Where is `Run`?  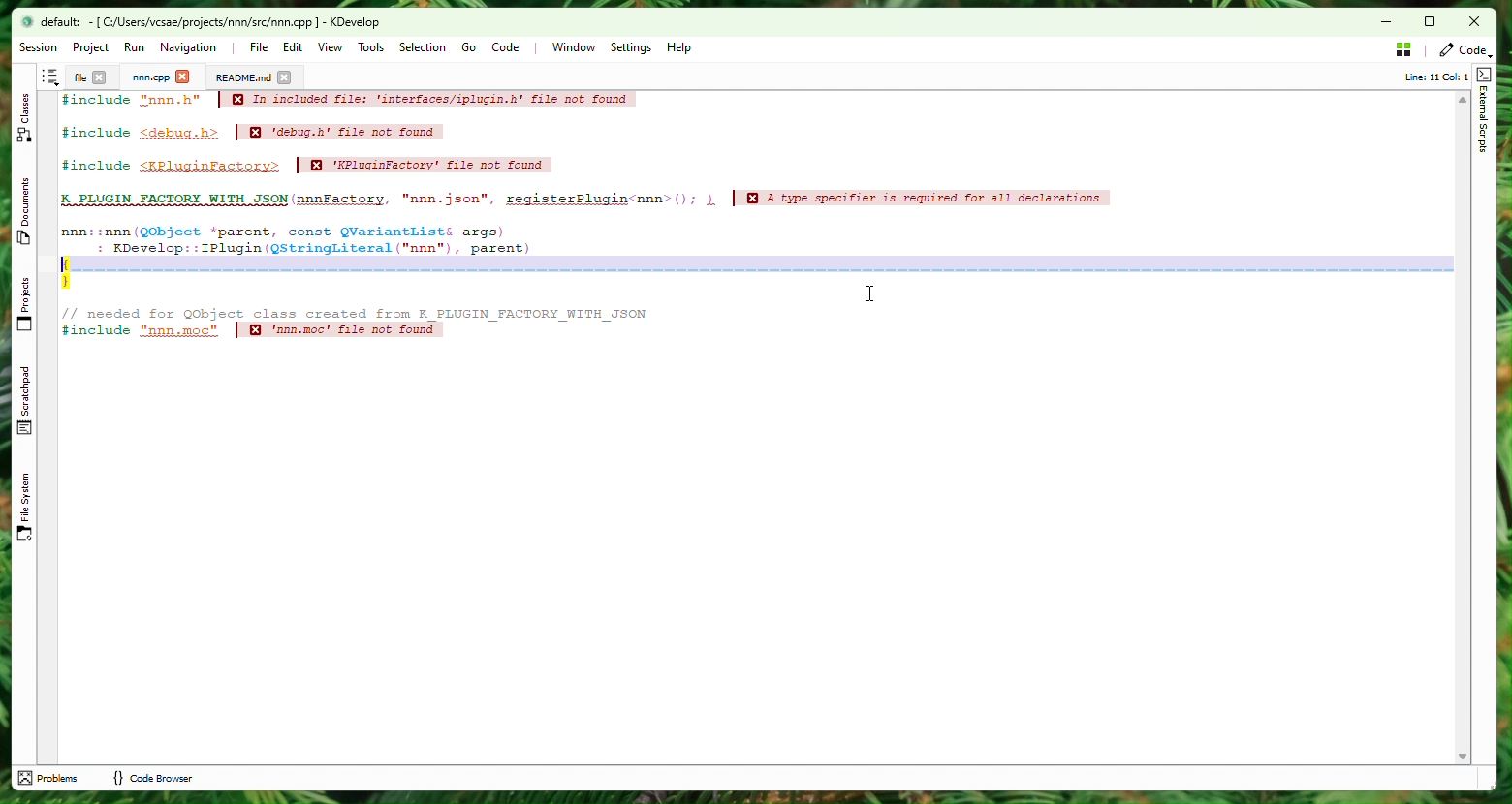
Run is located at coordinates (134, 46).